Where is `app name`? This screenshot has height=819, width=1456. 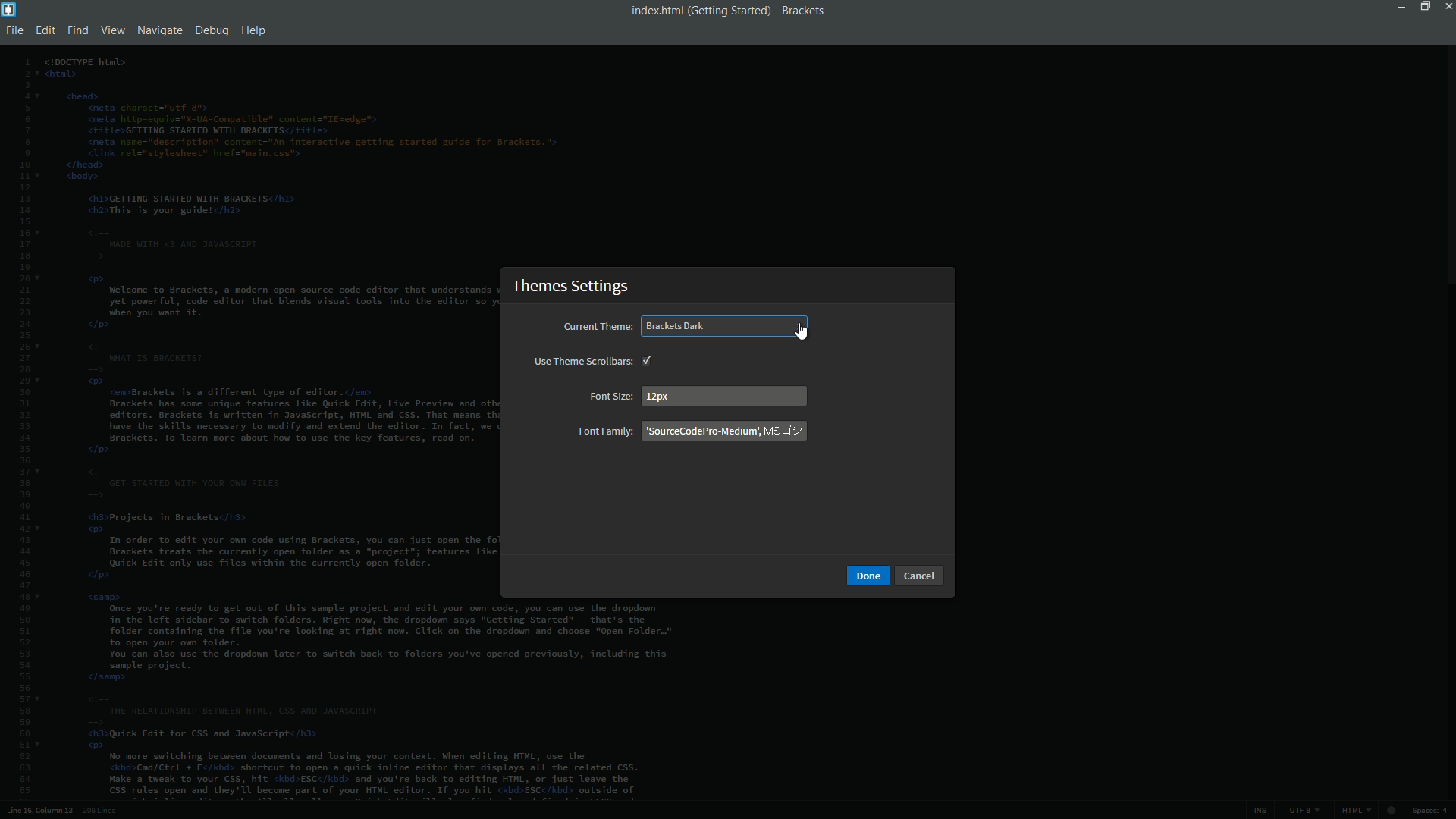
app name is located at coordinates (804, 11).